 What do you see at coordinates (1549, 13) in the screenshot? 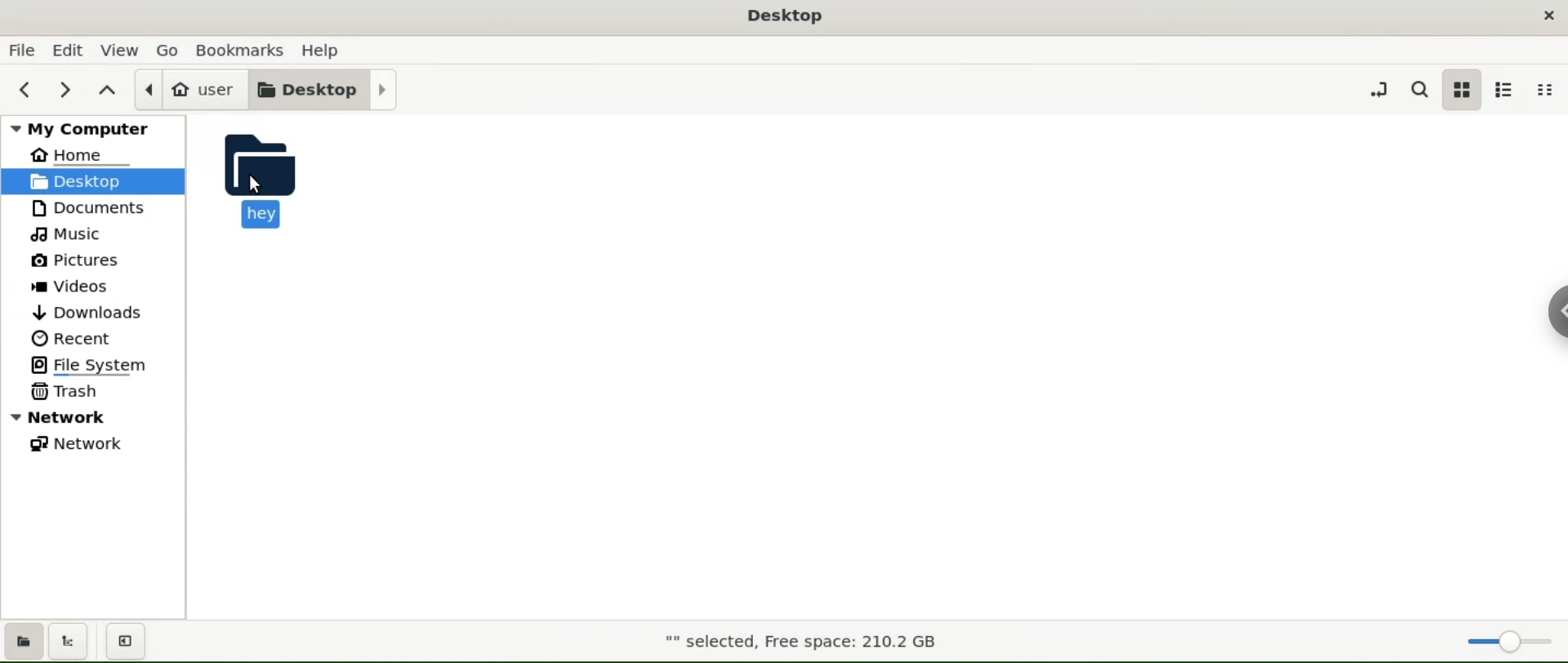
I see `close` at bounding box center [1549, 13].